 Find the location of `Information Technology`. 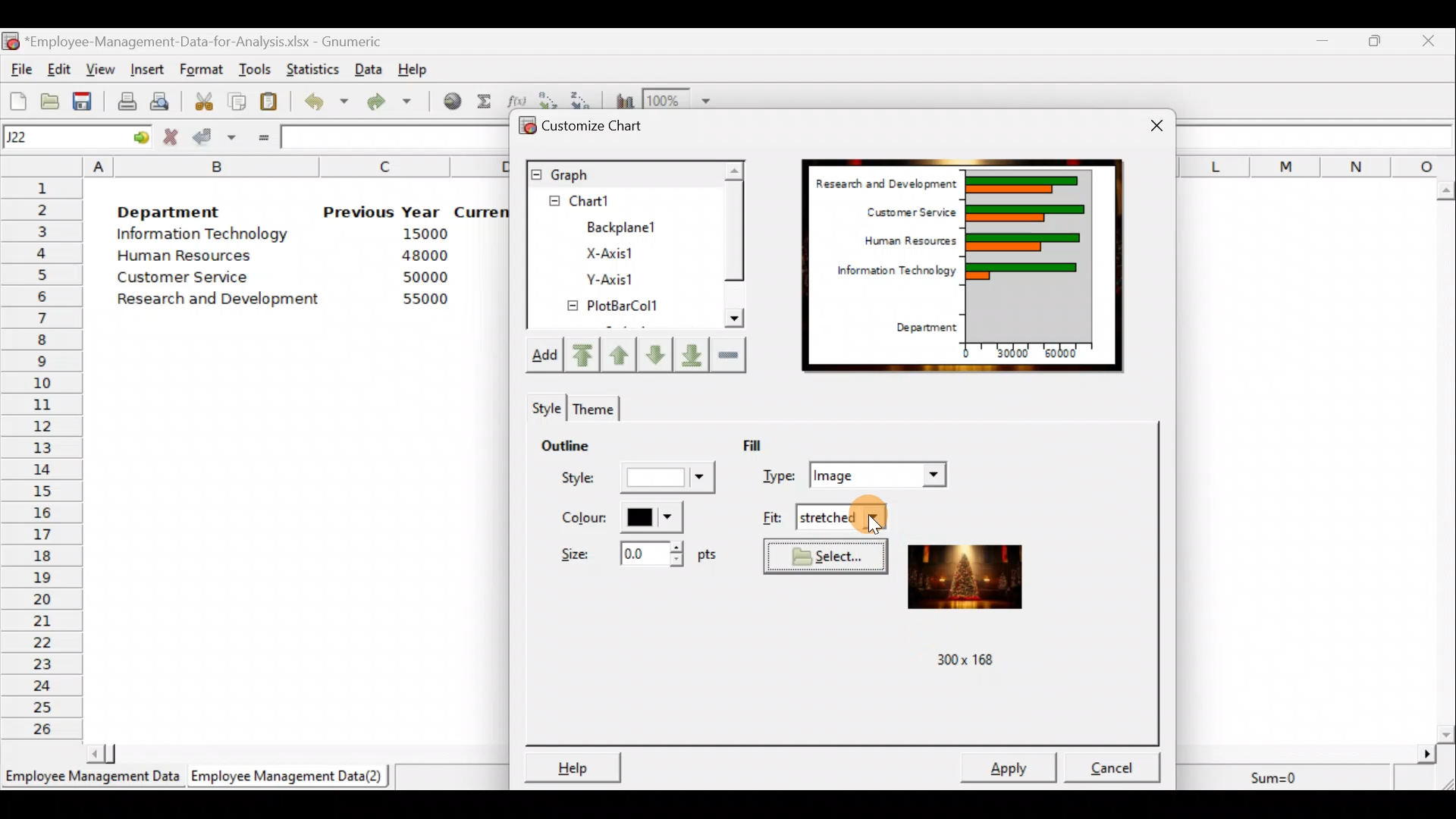

Information Technology is located at coordinates (891, 275).